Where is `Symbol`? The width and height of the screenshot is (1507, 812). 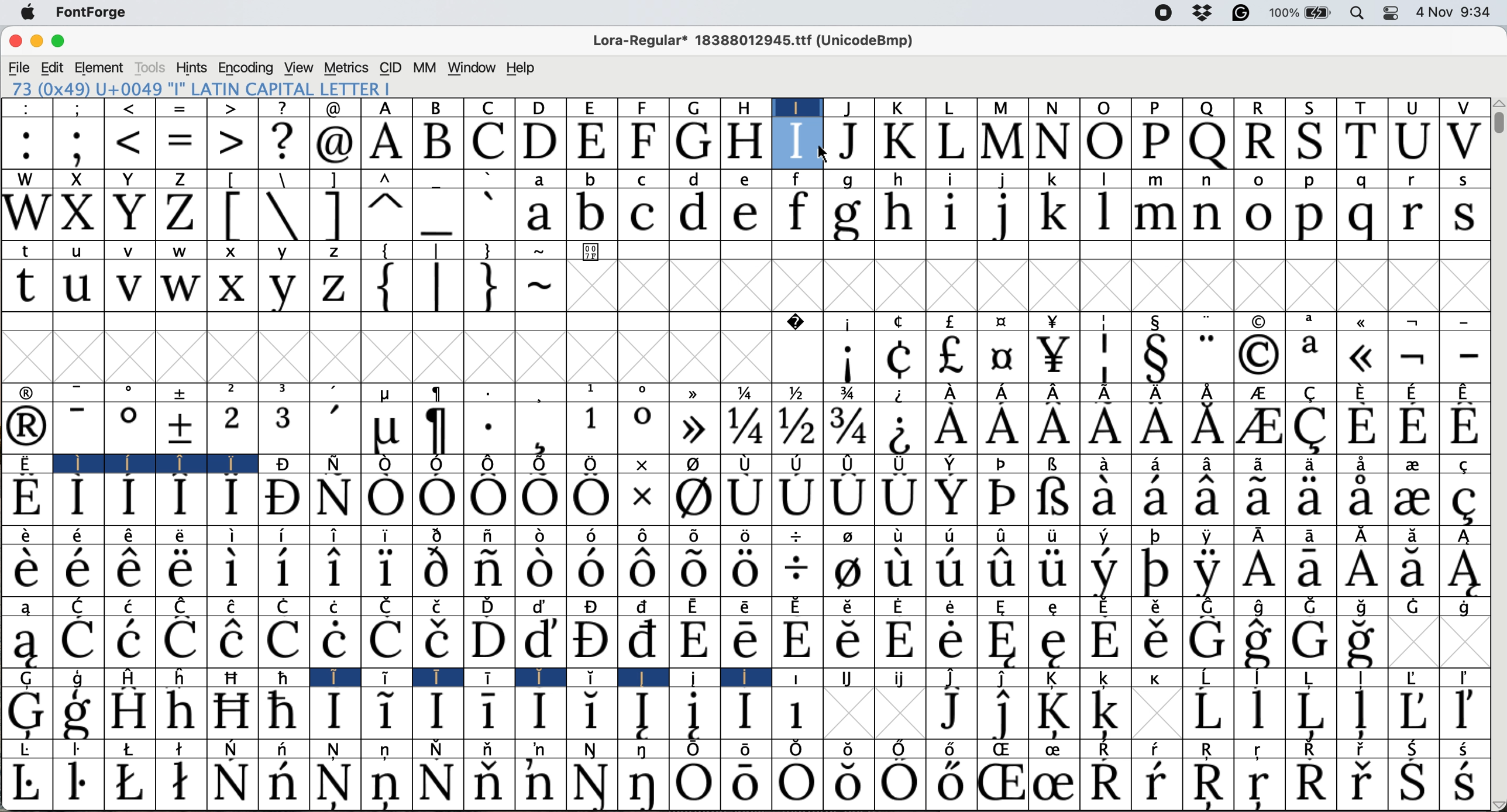
Symbol is located at coordinates (280, 499).